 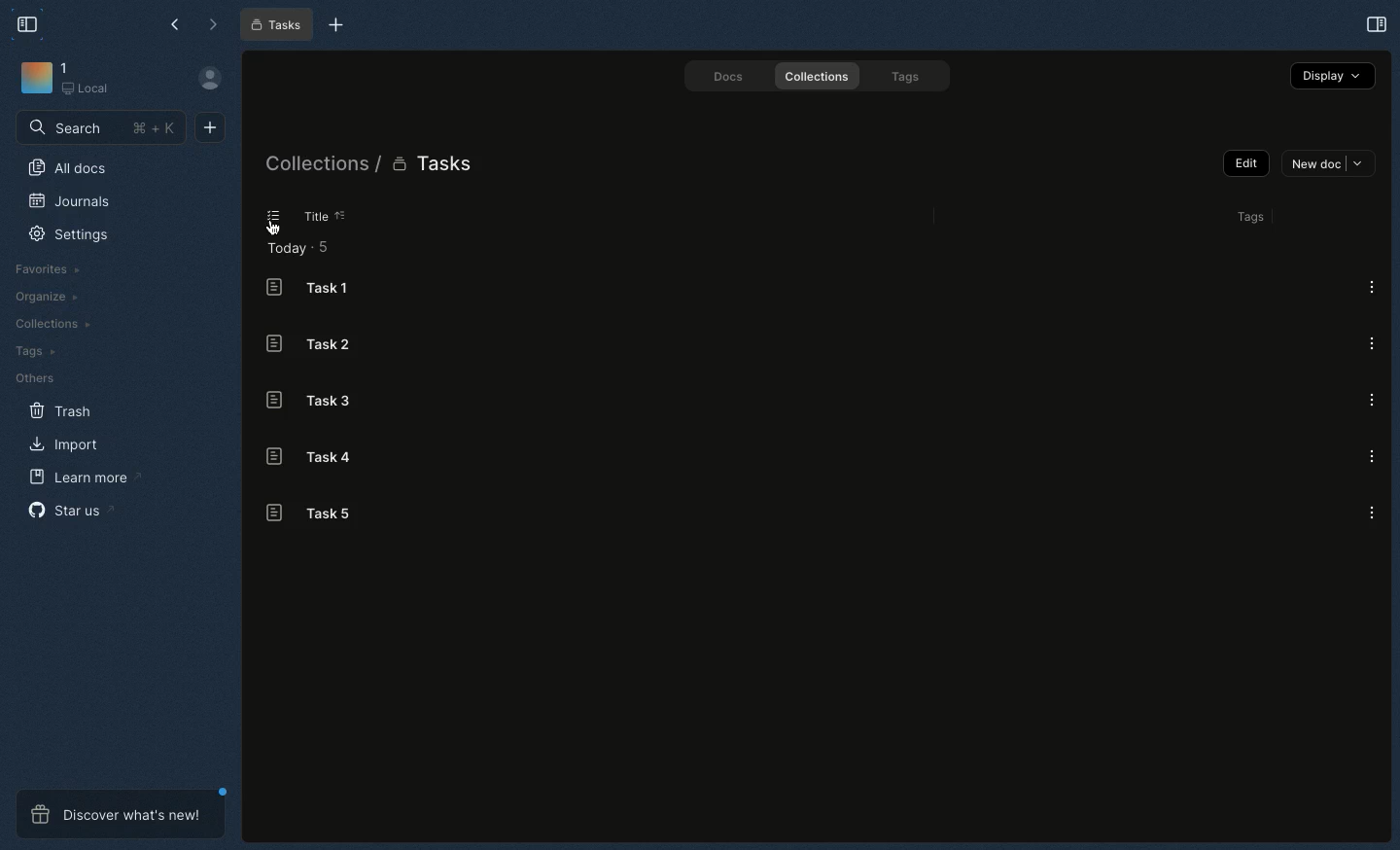 What do you see at coordinates (317, 166) in the screenshot?
I see `Collections` at bounding box center [317, 166].